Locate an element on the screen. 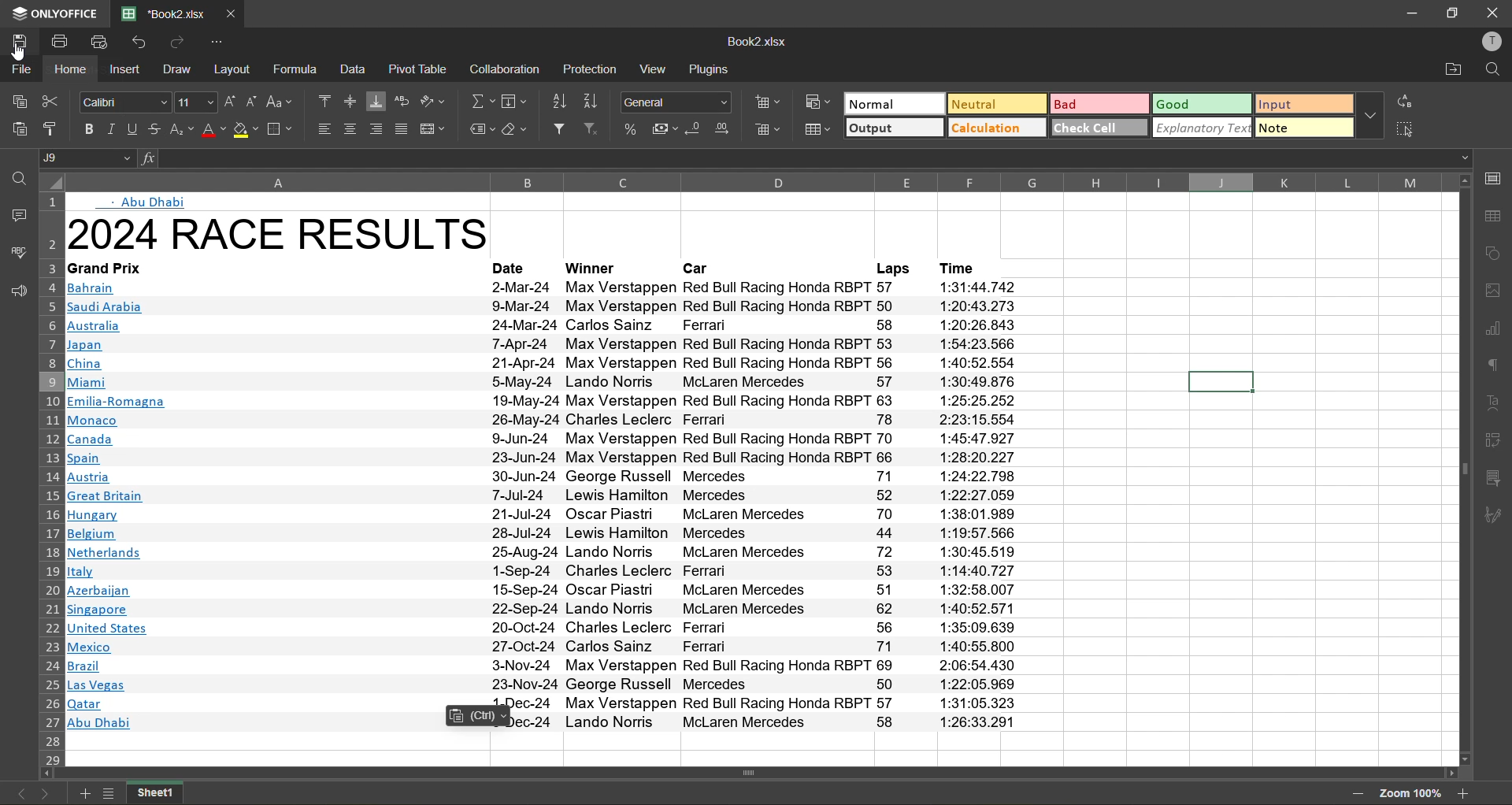 This screenshot has width=1512, height=805. wrap text is located at coordinates (402, 102).